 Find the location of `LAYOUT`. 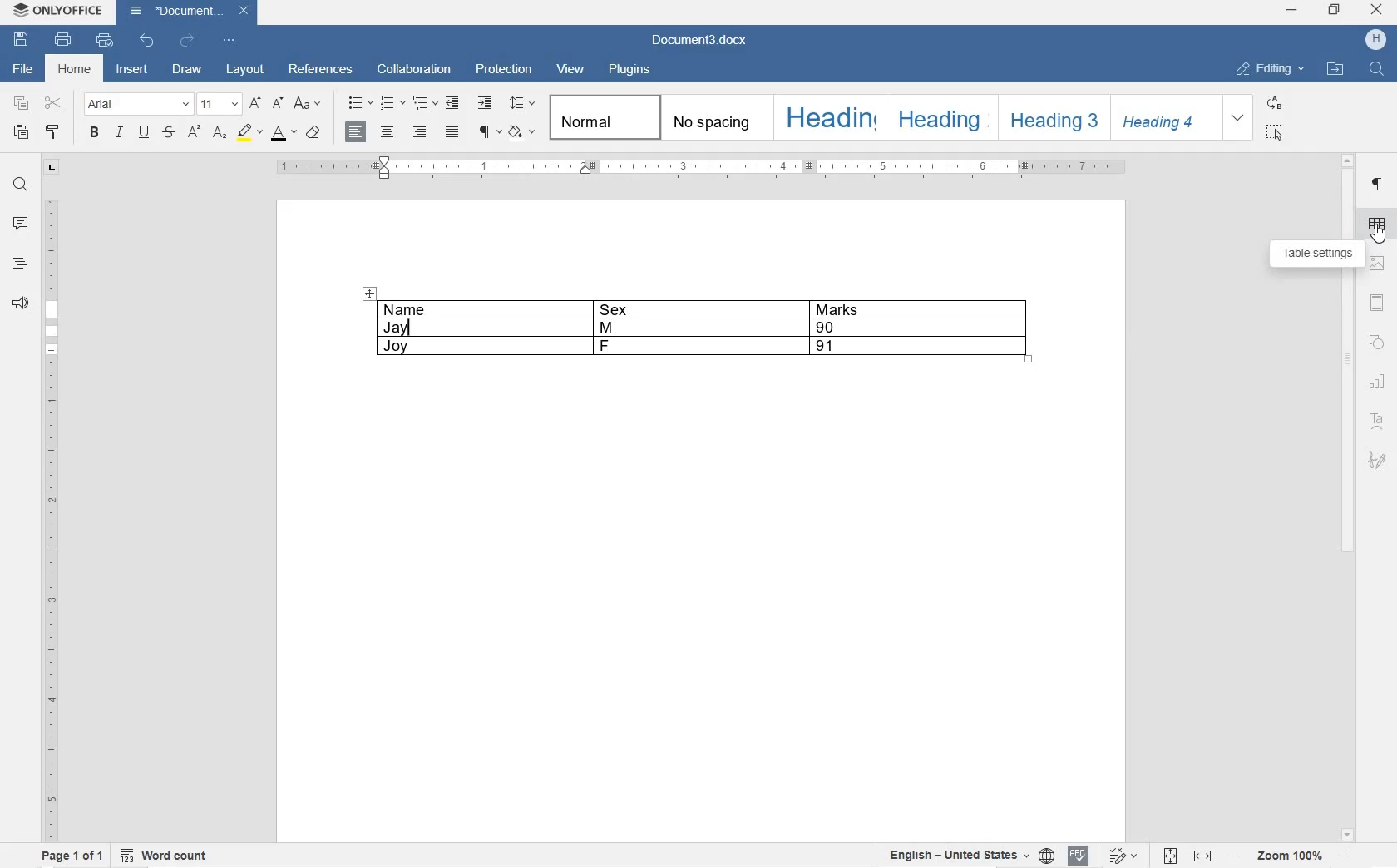

LAYOUT is located at coordinates (243, 70).